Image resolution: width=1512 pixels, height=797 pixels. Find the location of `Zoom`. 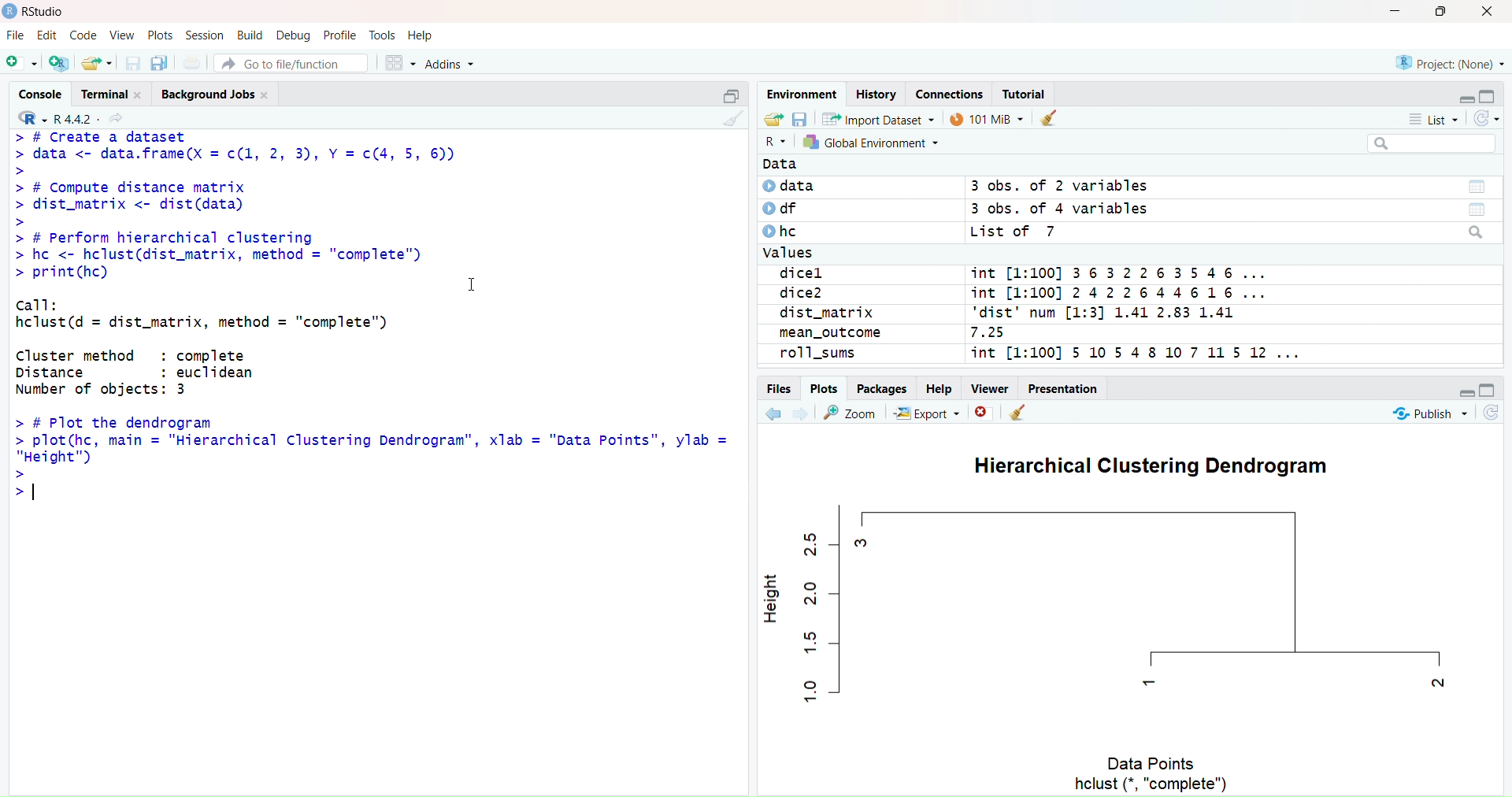

Zoom is located at coordinates (852, 412).